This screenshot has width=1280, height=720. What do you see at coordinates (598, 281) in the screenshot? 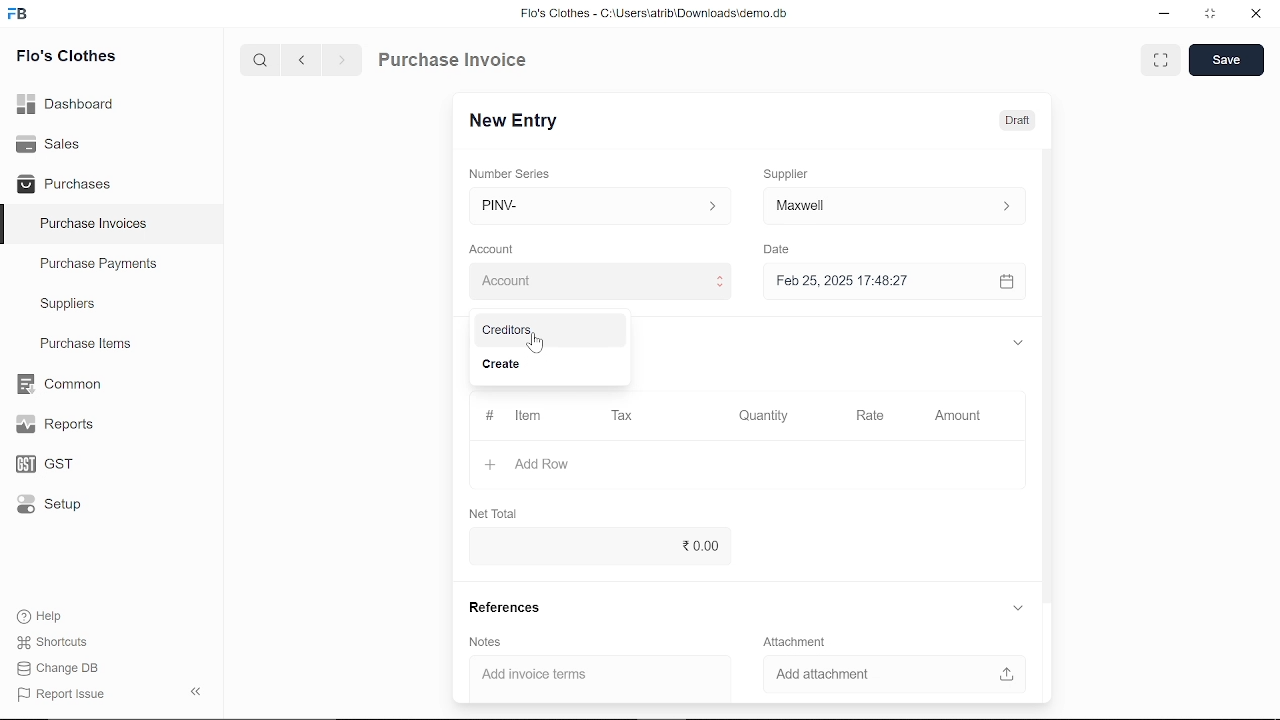
I see `input Account` at bounding box center [598, 281].